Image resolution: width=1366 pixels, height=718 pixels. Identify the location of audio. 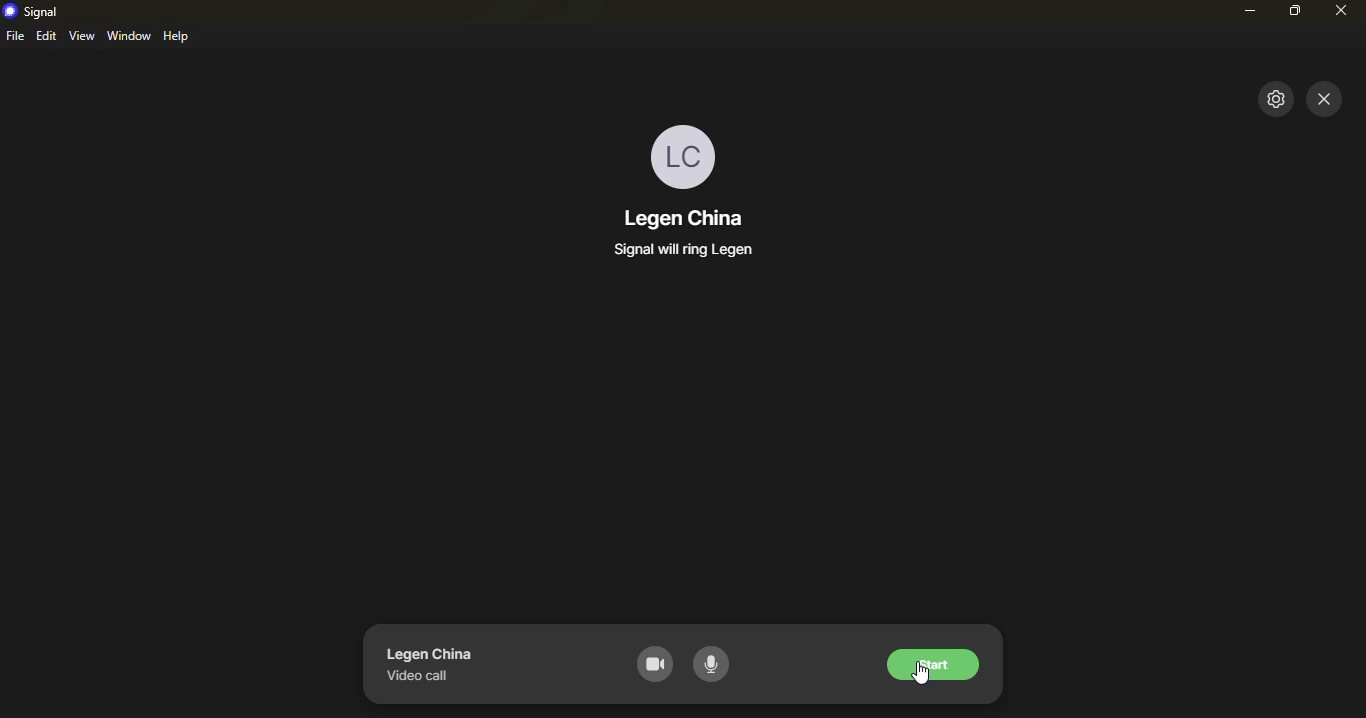
(715, 665).